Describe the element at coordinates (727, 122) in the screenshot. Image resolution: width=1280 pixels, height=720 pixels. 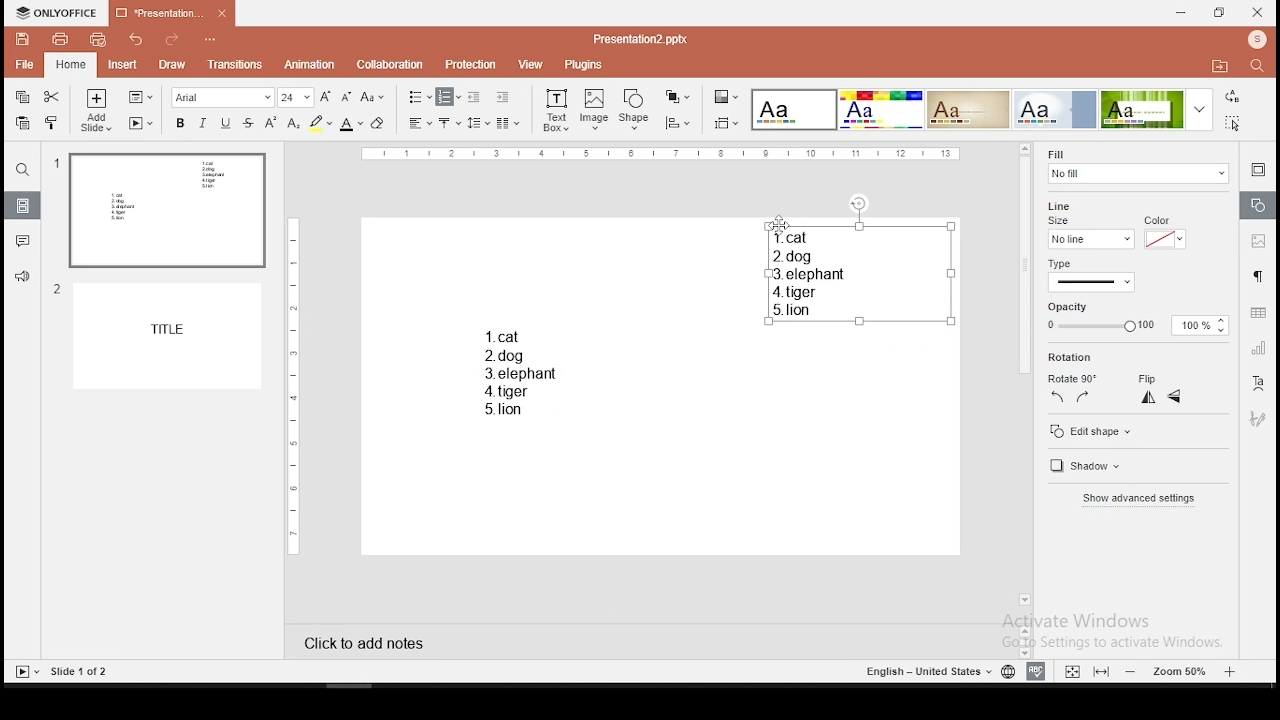
I see `select slide size` at that location.